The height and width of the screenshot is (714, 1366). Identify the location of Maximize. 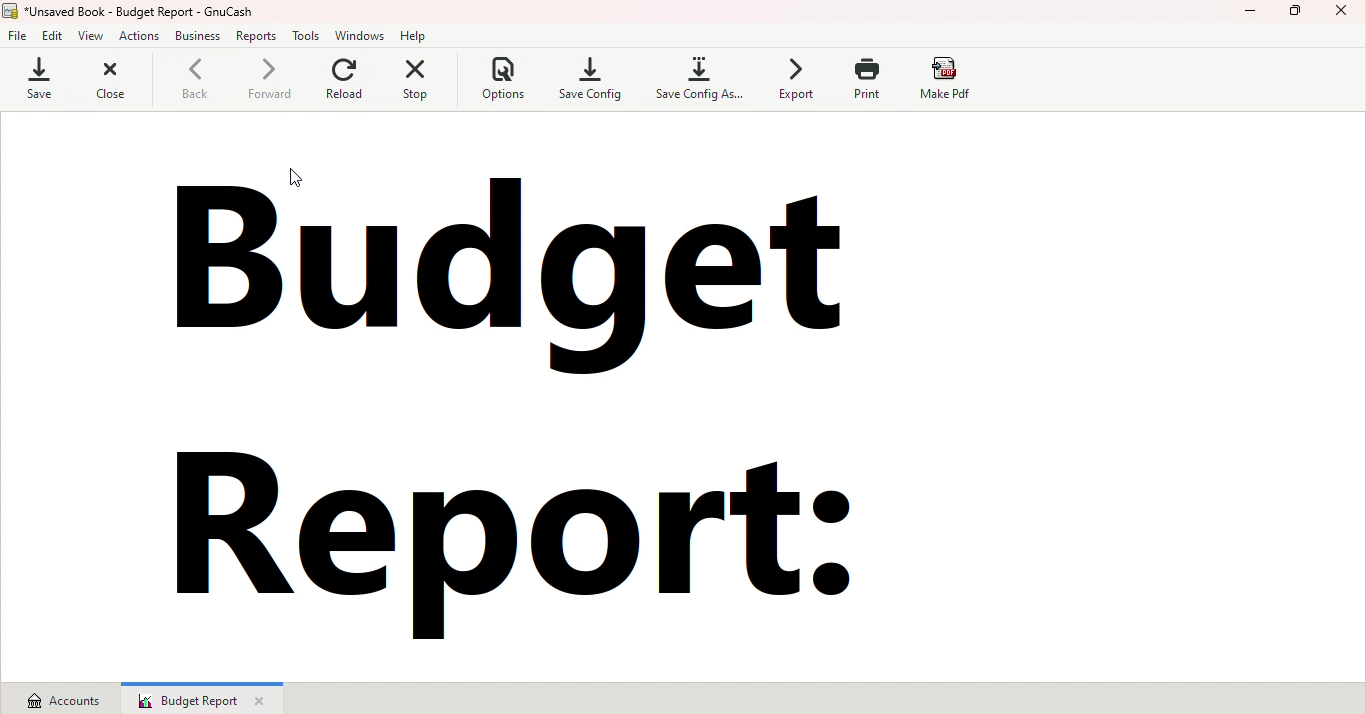
(1297, 16).